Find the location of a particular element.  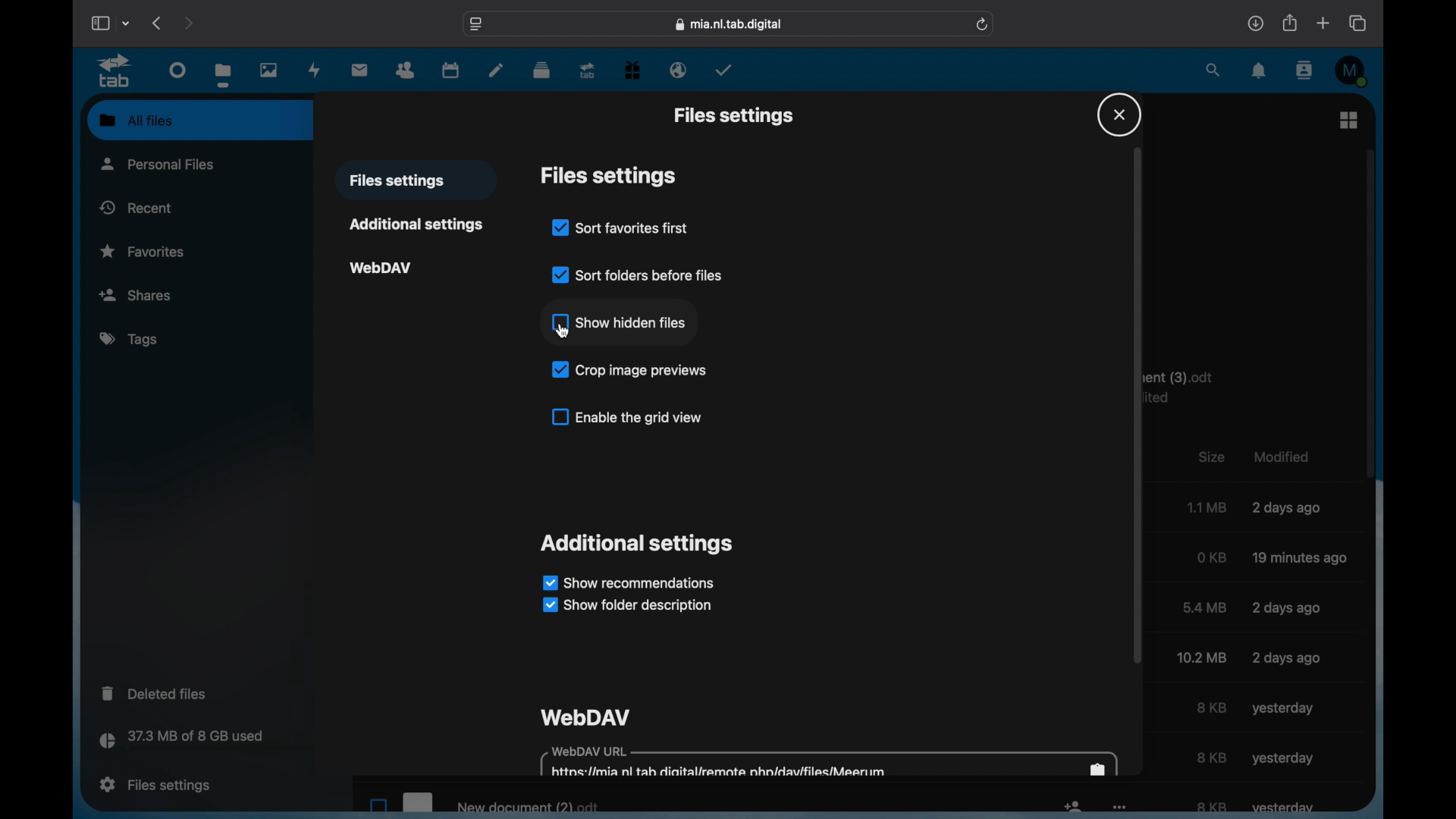

recent is located at coordinates (136, 207).